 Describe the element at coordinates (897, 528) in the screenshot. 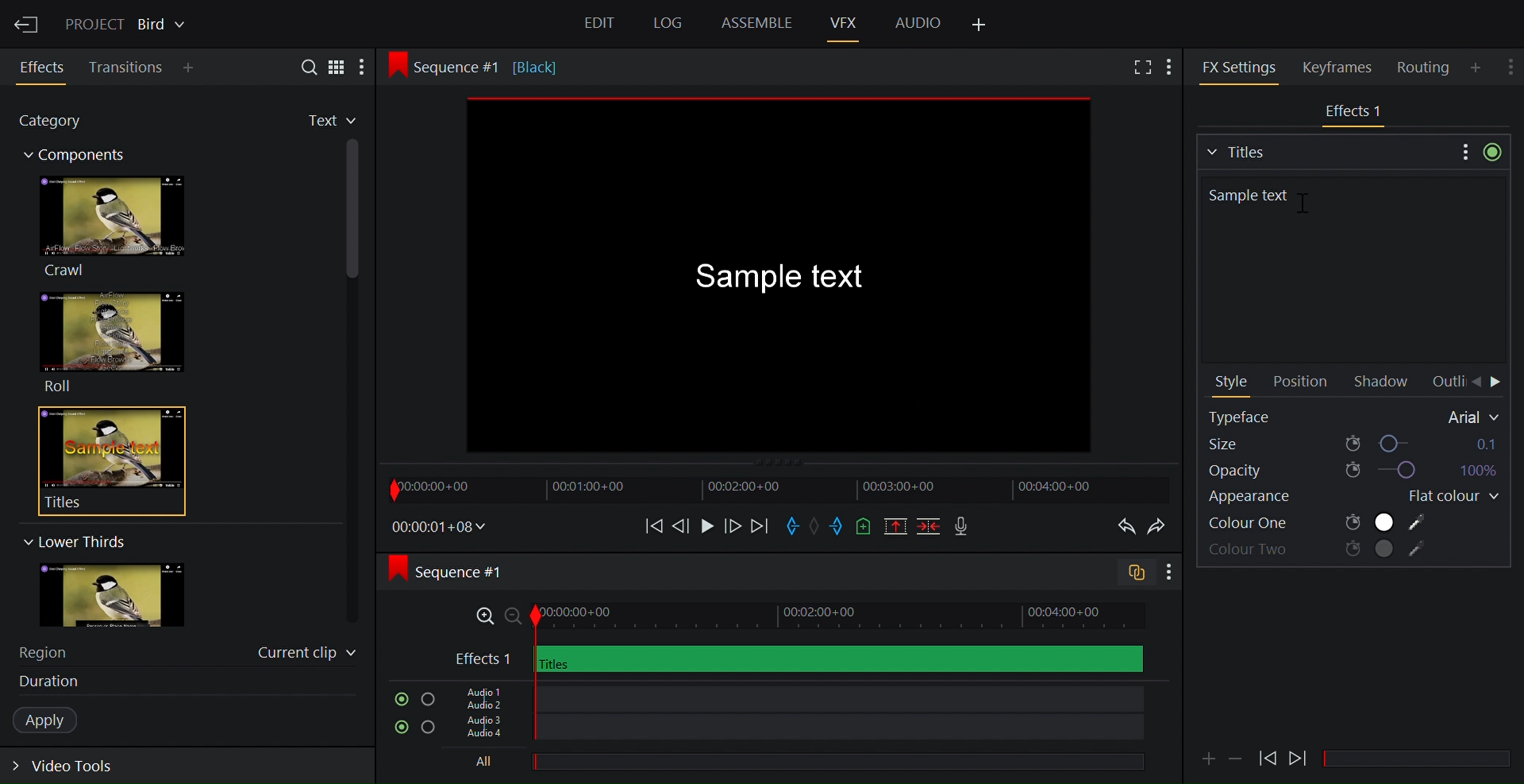

I see `Remove all marked sections` at that location.